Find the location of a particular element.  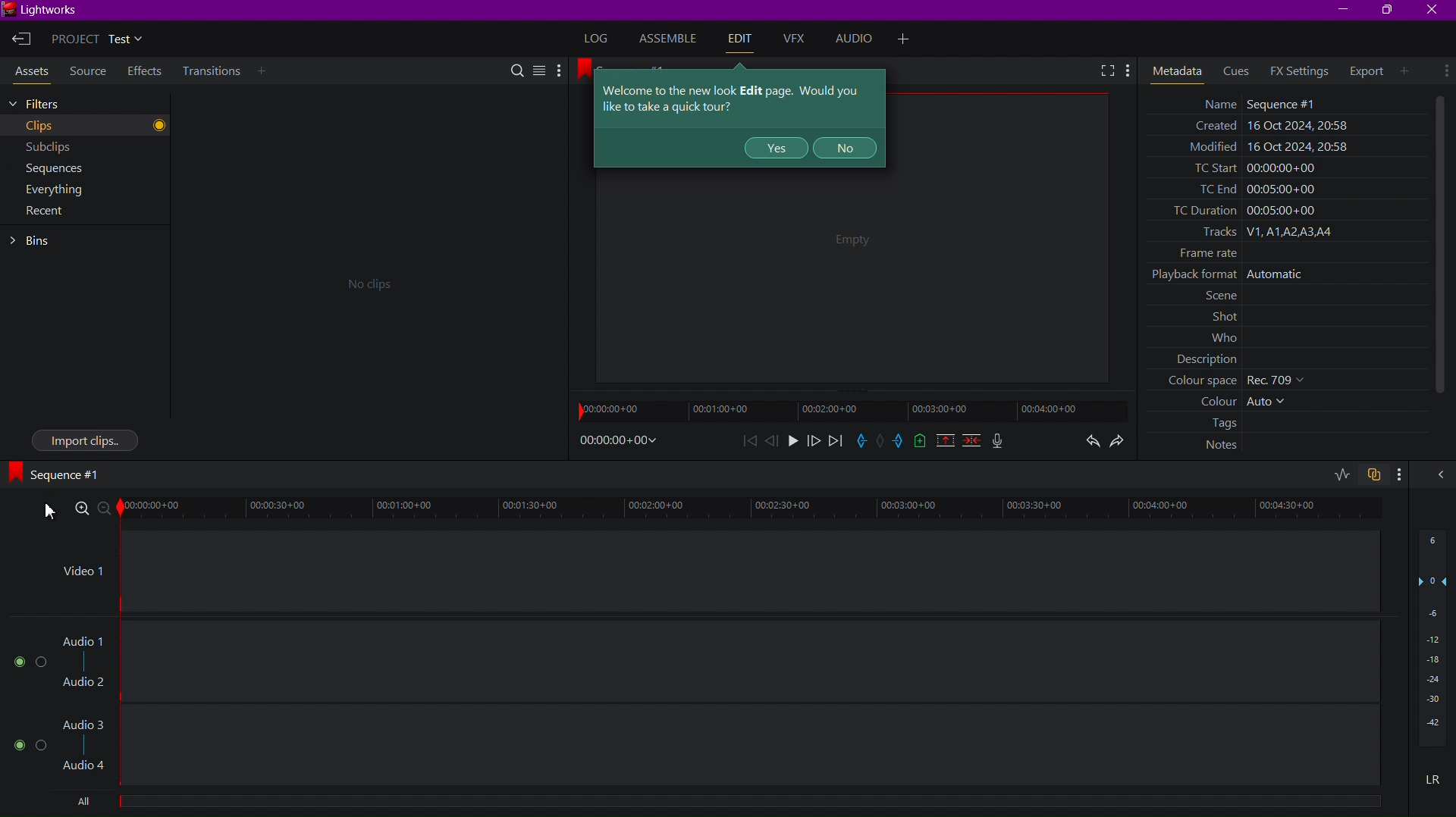

FX Settings is located at coordinates (1302, 70).